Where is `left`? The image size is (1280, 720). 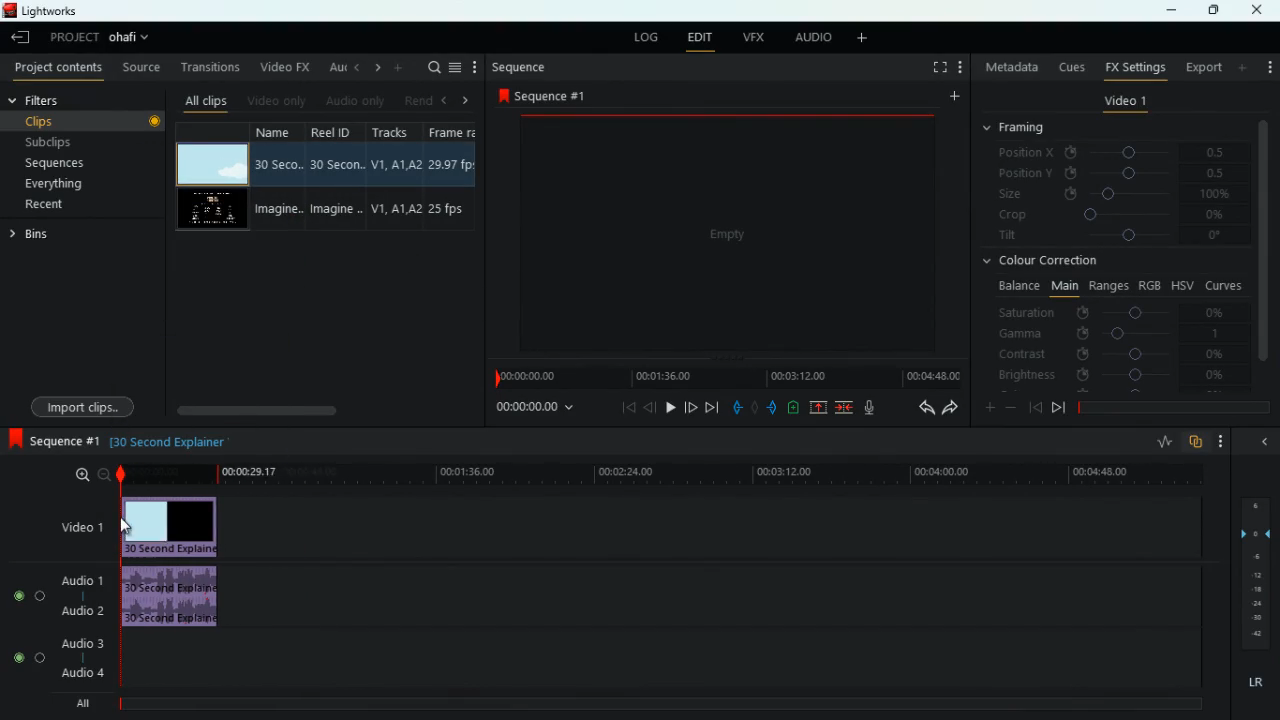 left is located at coordinates (446, 99).